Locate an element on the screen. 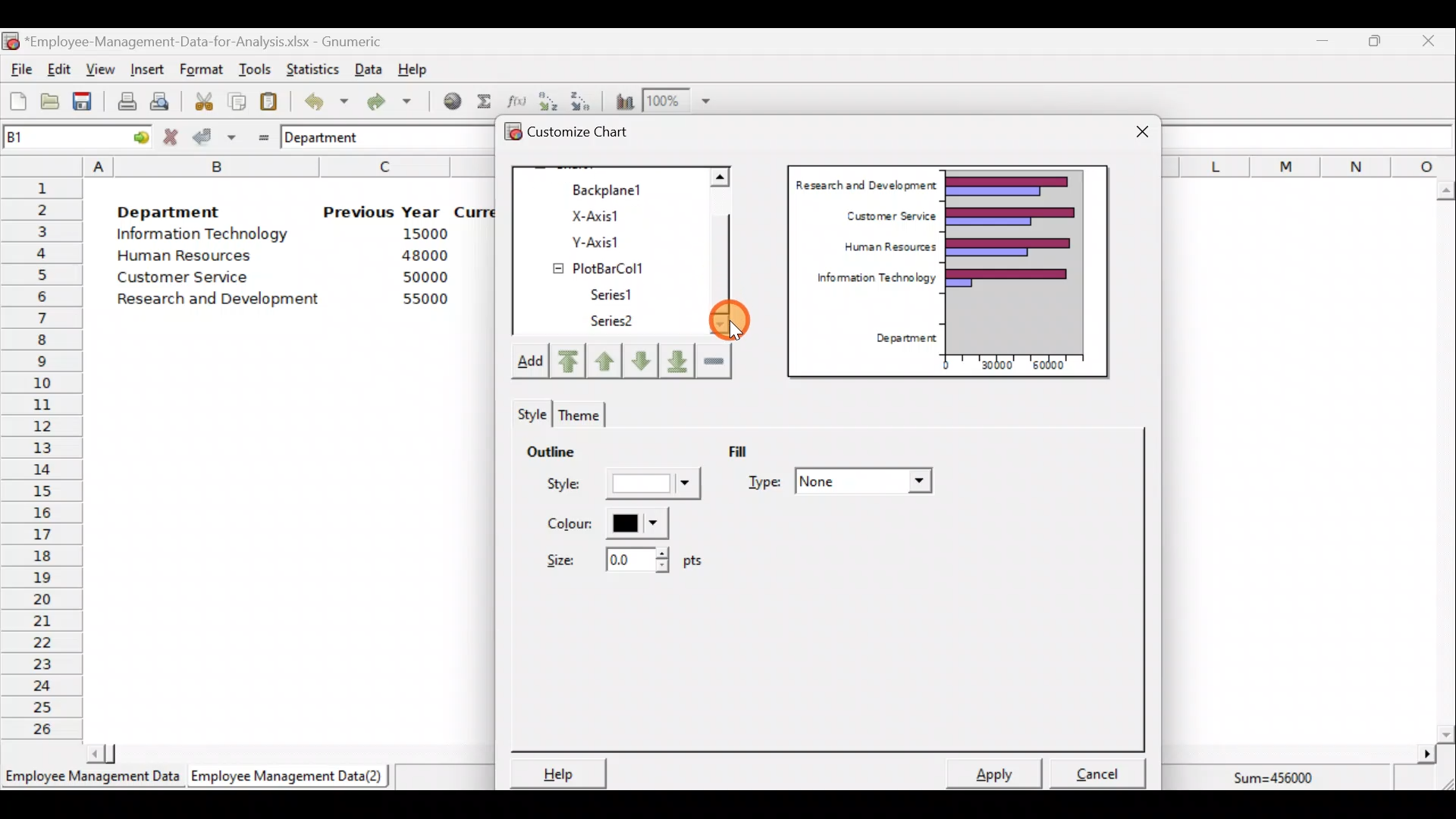 The height and width of the screenshot is (819, 1456). Size is located at coordinates (620, 558).